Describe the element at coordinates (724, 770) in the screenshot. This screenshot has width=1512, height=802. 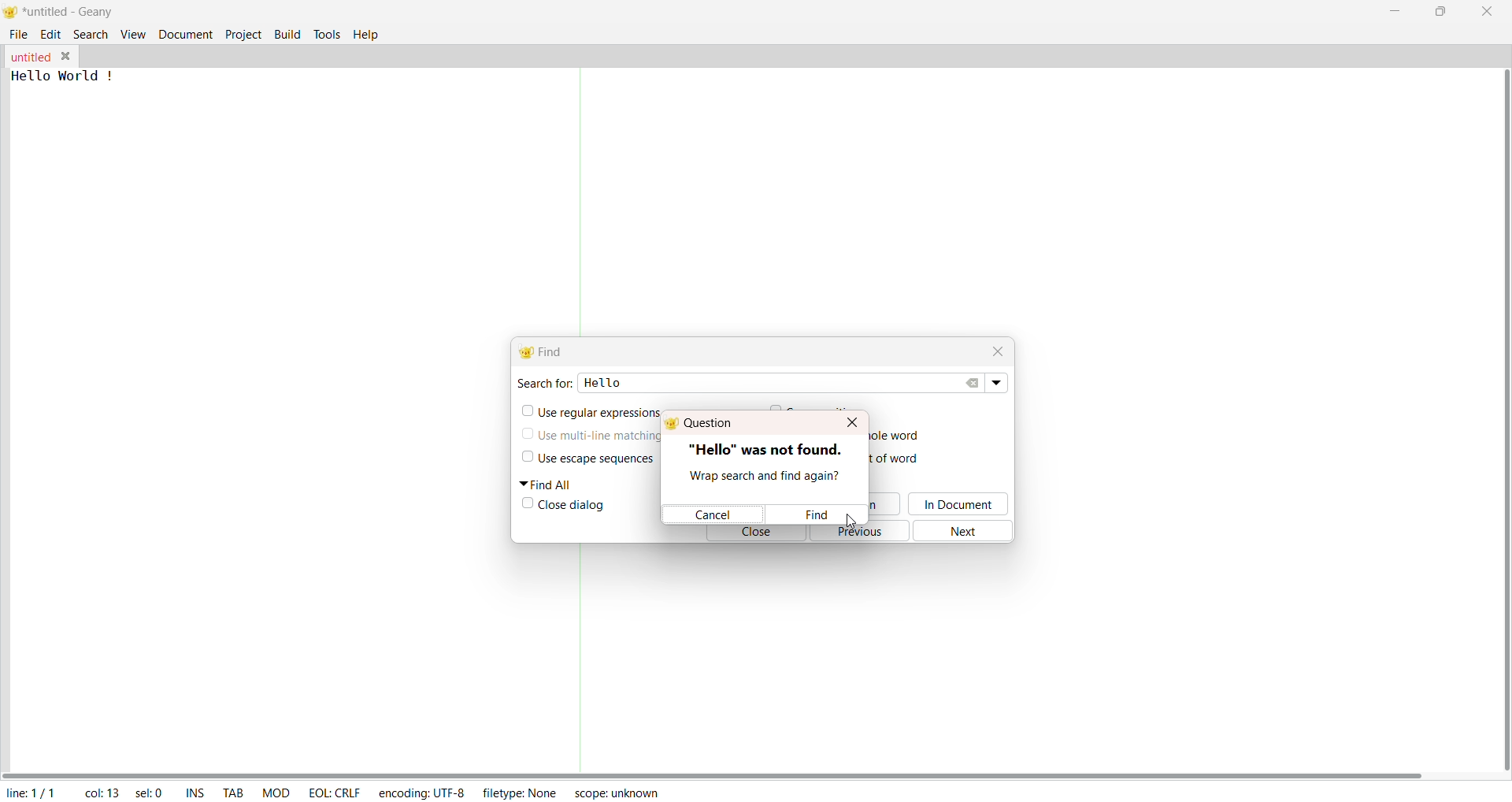
I see `Horizontal Scroll Bar` at that location.